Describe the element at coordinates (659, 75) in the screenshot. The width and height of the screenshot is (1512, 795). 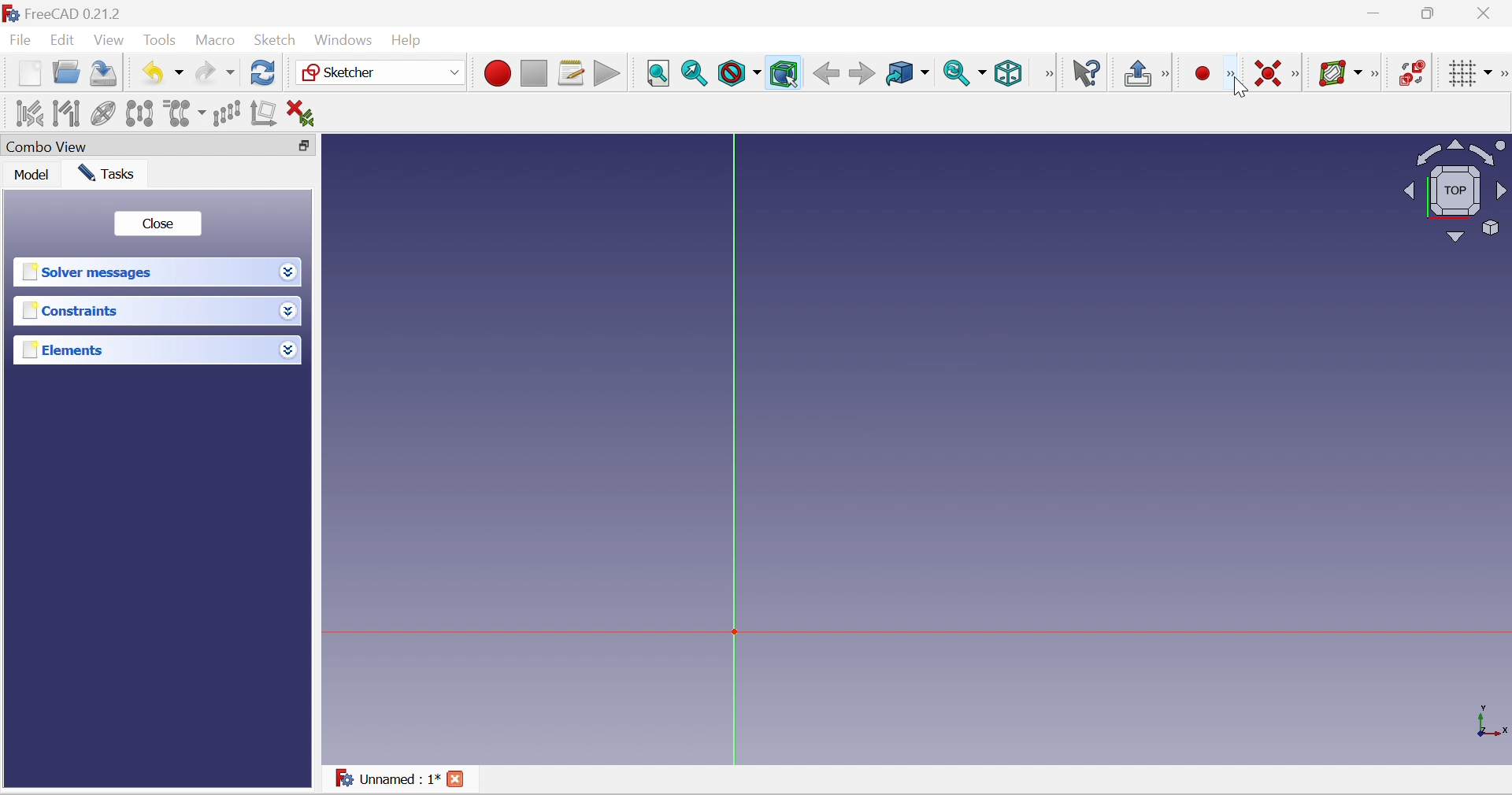
I see `Fit all` at that location.